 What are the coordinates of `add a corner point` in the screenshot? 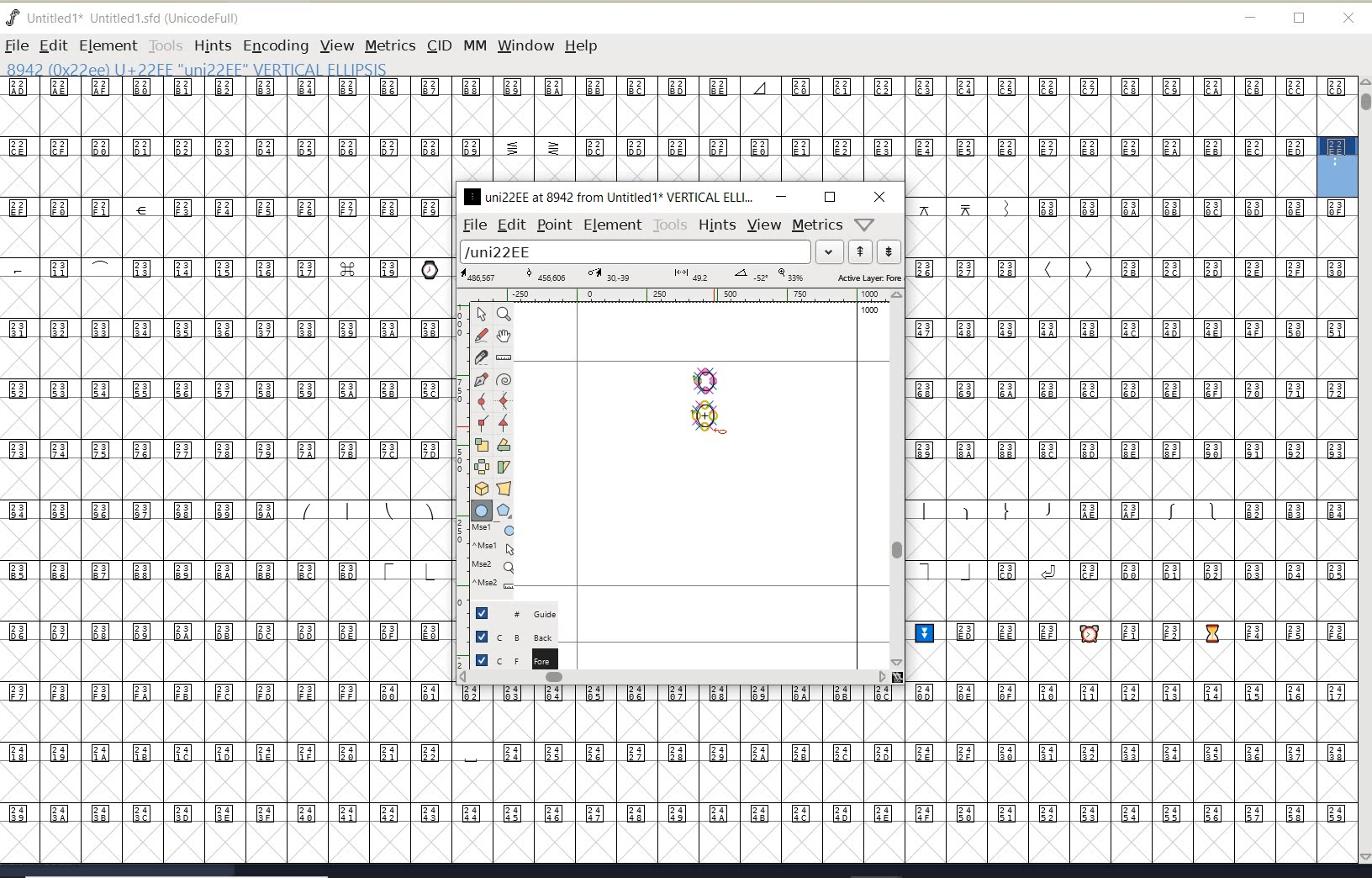 It's located at (483, 422).